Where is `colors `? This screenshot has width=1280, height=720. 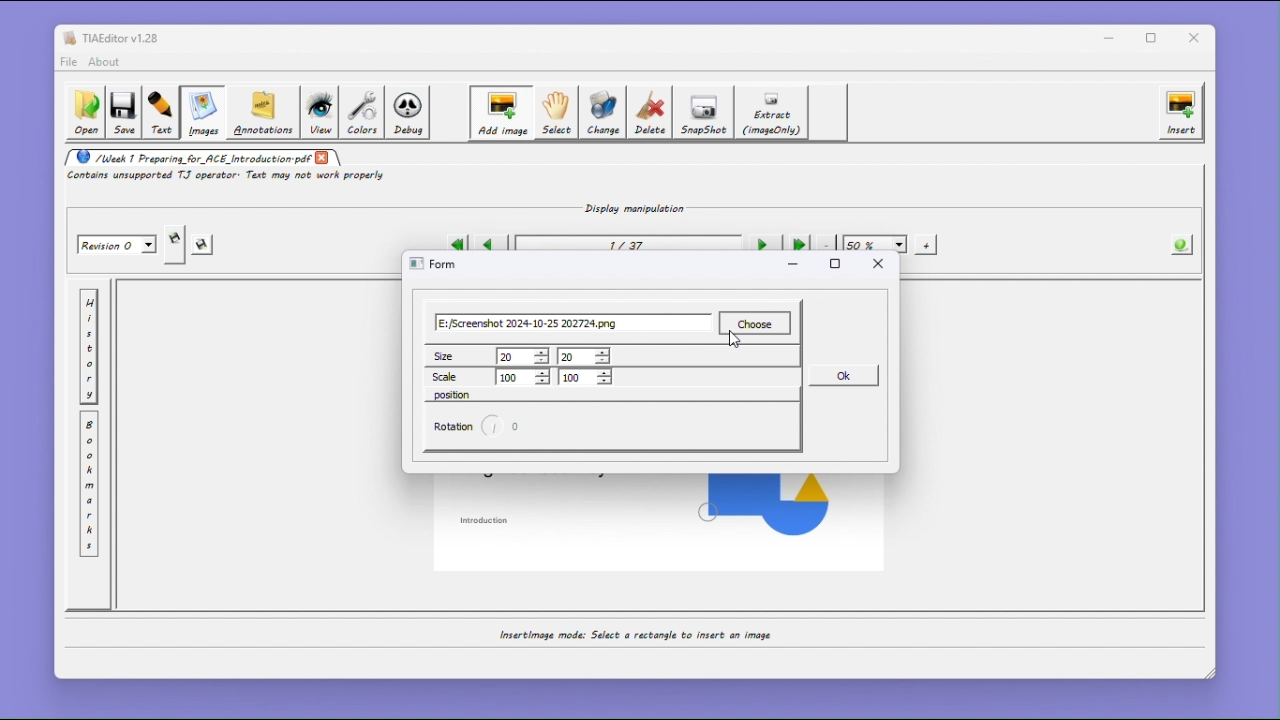
colors  is located at coordinates (362, 112).